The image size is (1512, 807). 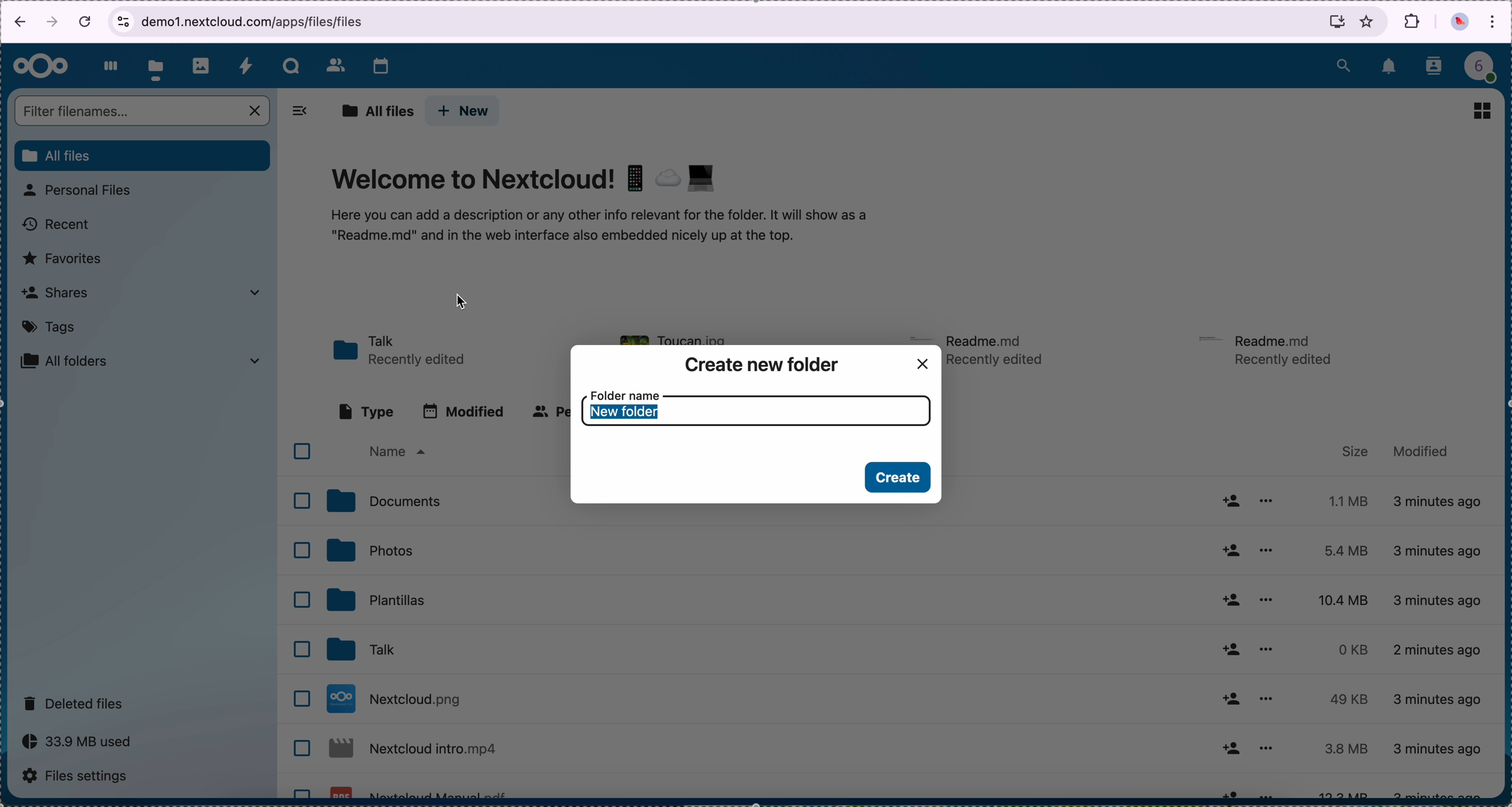 What do you see at coordinates (1264, 748) in the screenshot?
I see `more options` at bounding box center [1264, 748].